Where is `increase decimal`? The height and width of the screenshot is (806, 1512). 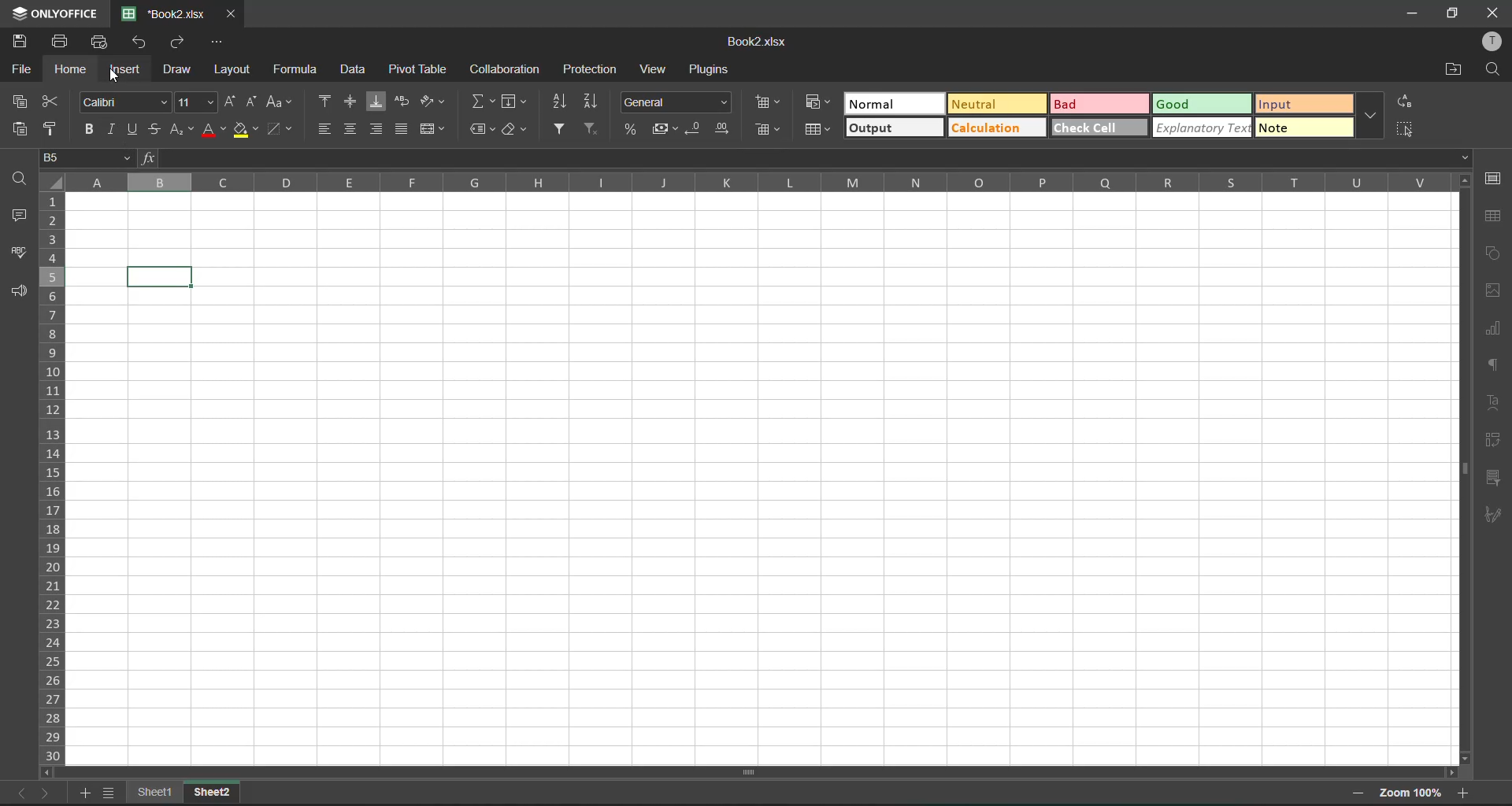 increase decimal is located at coordinates (723, 131).